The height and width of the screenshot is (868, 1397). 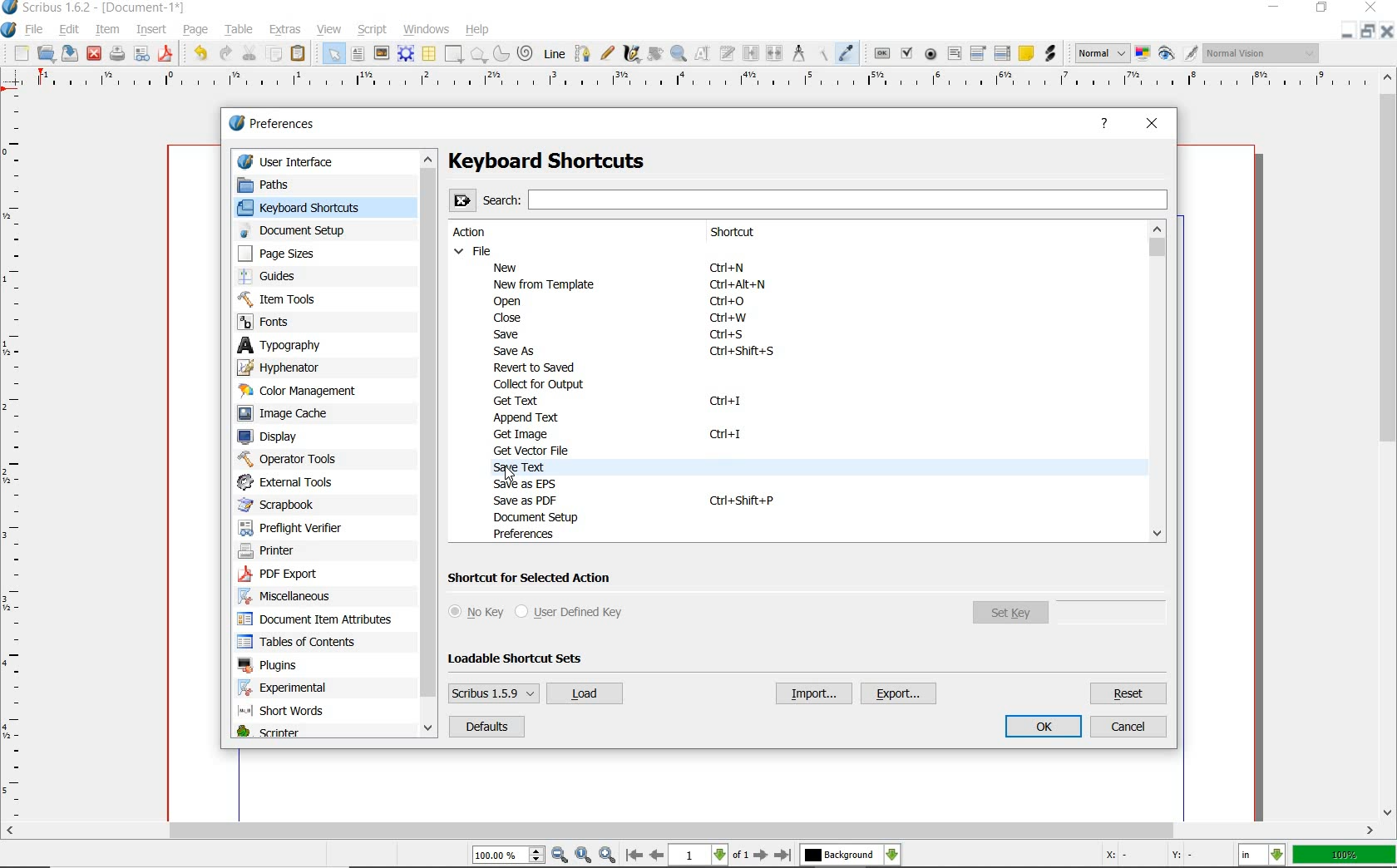 I want to click on revert to saved, so click(x=538, y=368).